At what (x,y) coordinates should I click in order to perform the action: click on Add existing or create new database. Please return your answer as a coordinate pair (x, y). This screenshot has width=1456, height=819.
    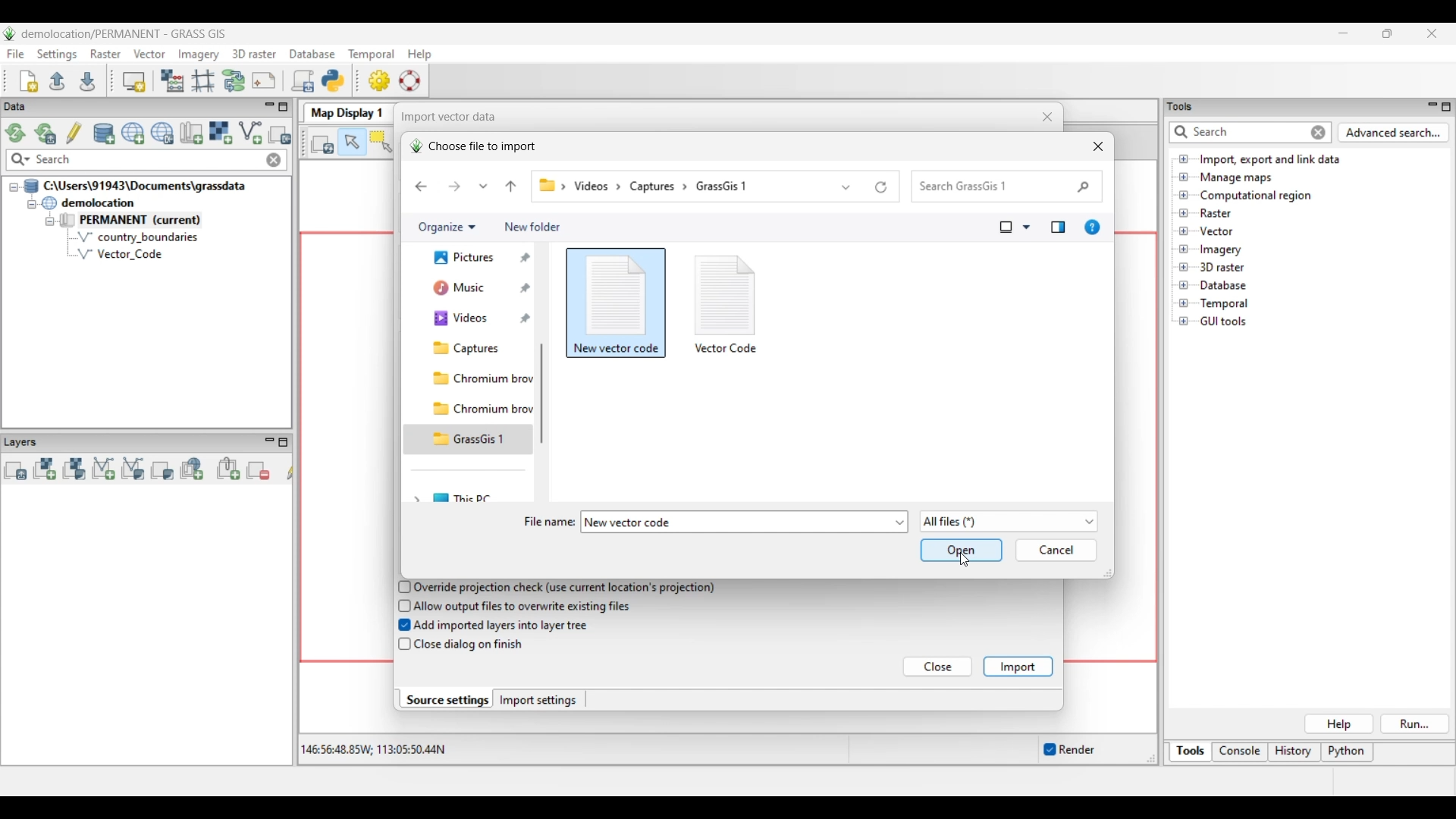
    Looking at the image, I should click on (105, 134).